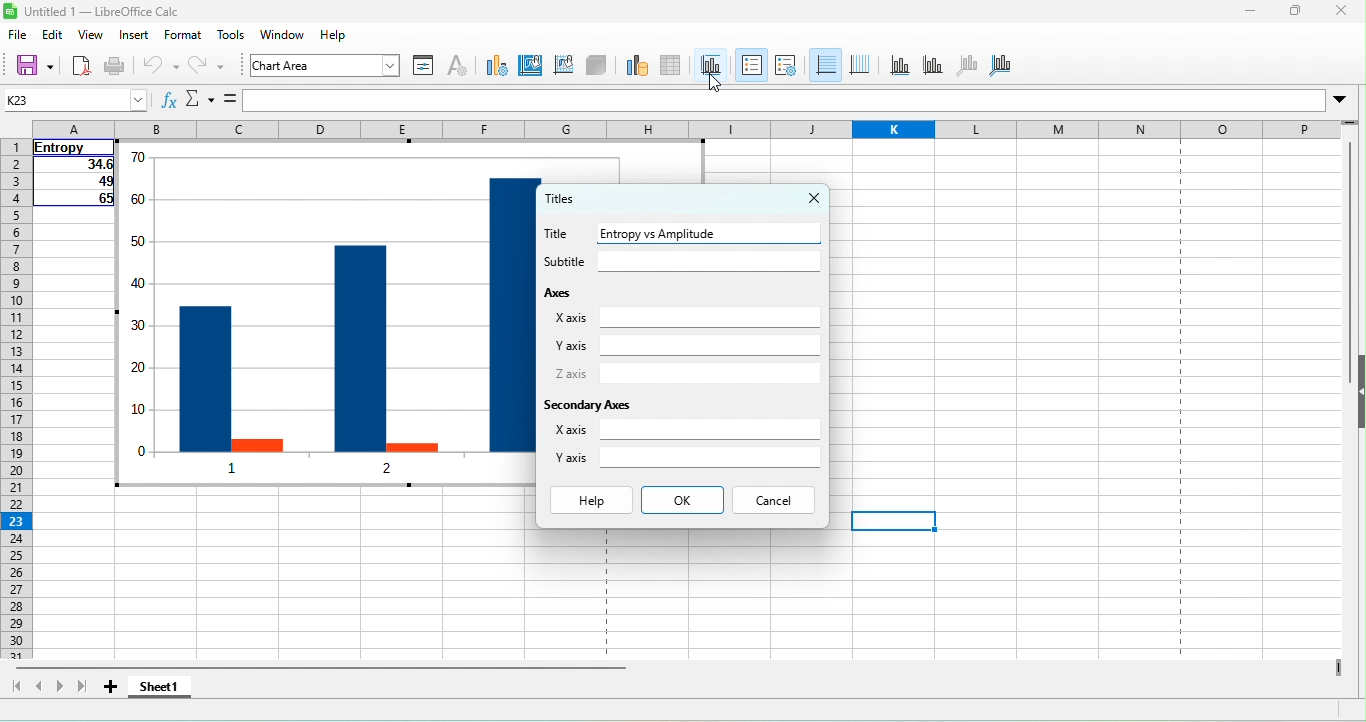 This screenshot has width=1366, height=722. What do you see at coordinates (140, 305) in the screenshot?
I see `y axis values` at bounding box center [140, 305].